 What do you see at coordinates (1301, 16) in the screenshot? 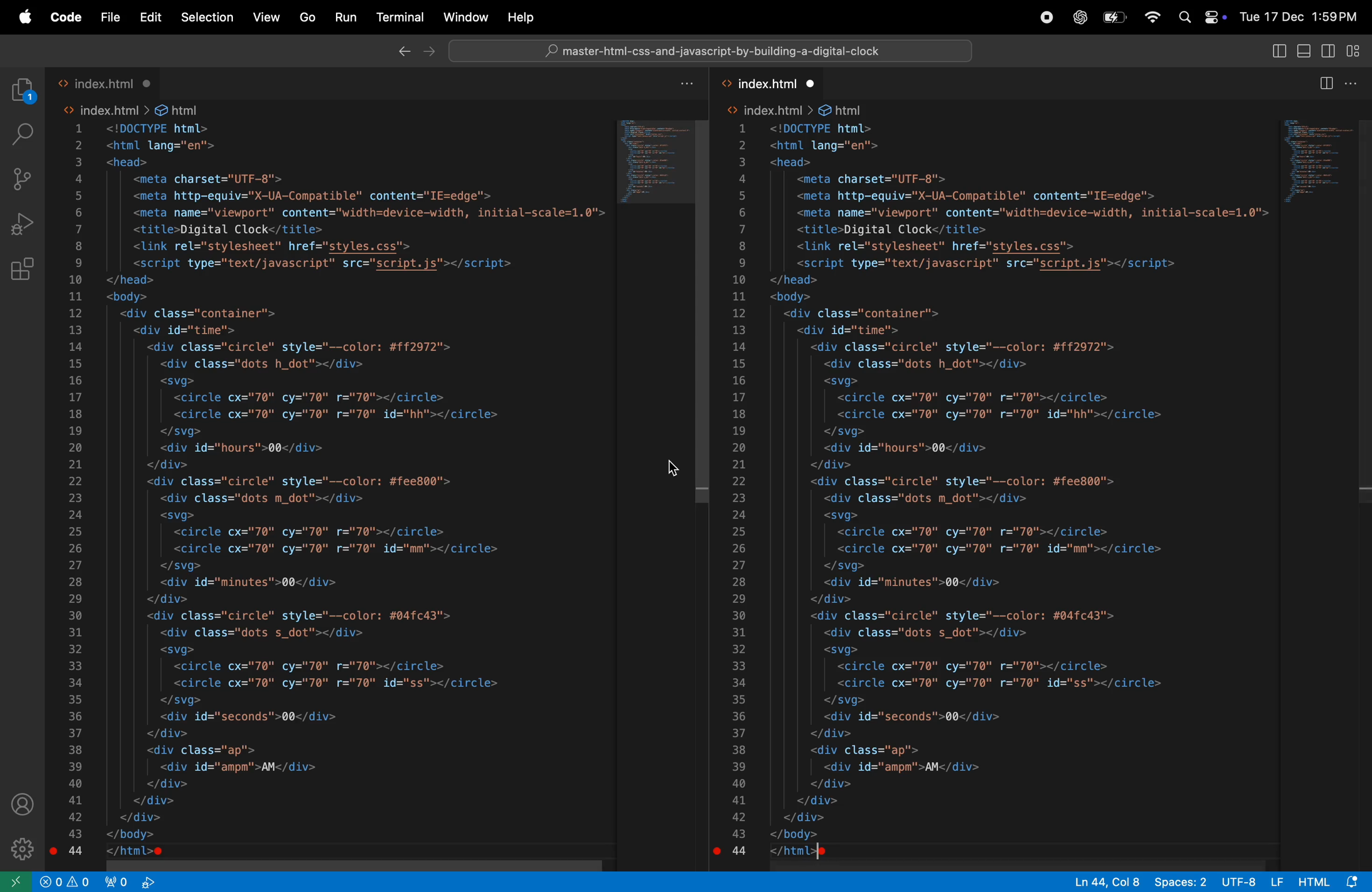
I see `Tue 17 Dec 1:59PM` at bounding box center [1301, 16].